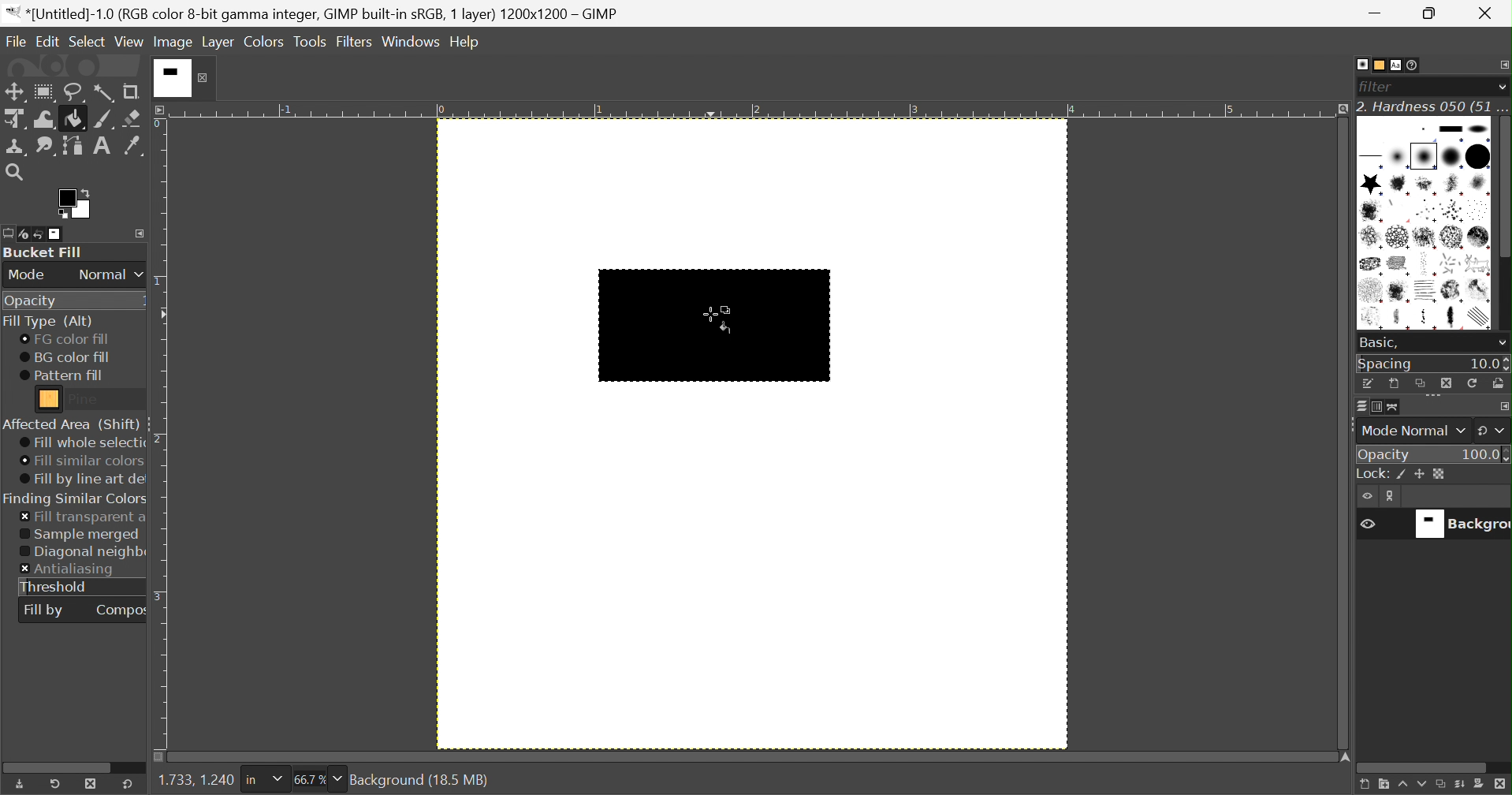 This screenshot has height=795, width=1512. What do you see at coordinates (184, 77) in the screenshot?
I see `Close` at bounding box center [184, 77].